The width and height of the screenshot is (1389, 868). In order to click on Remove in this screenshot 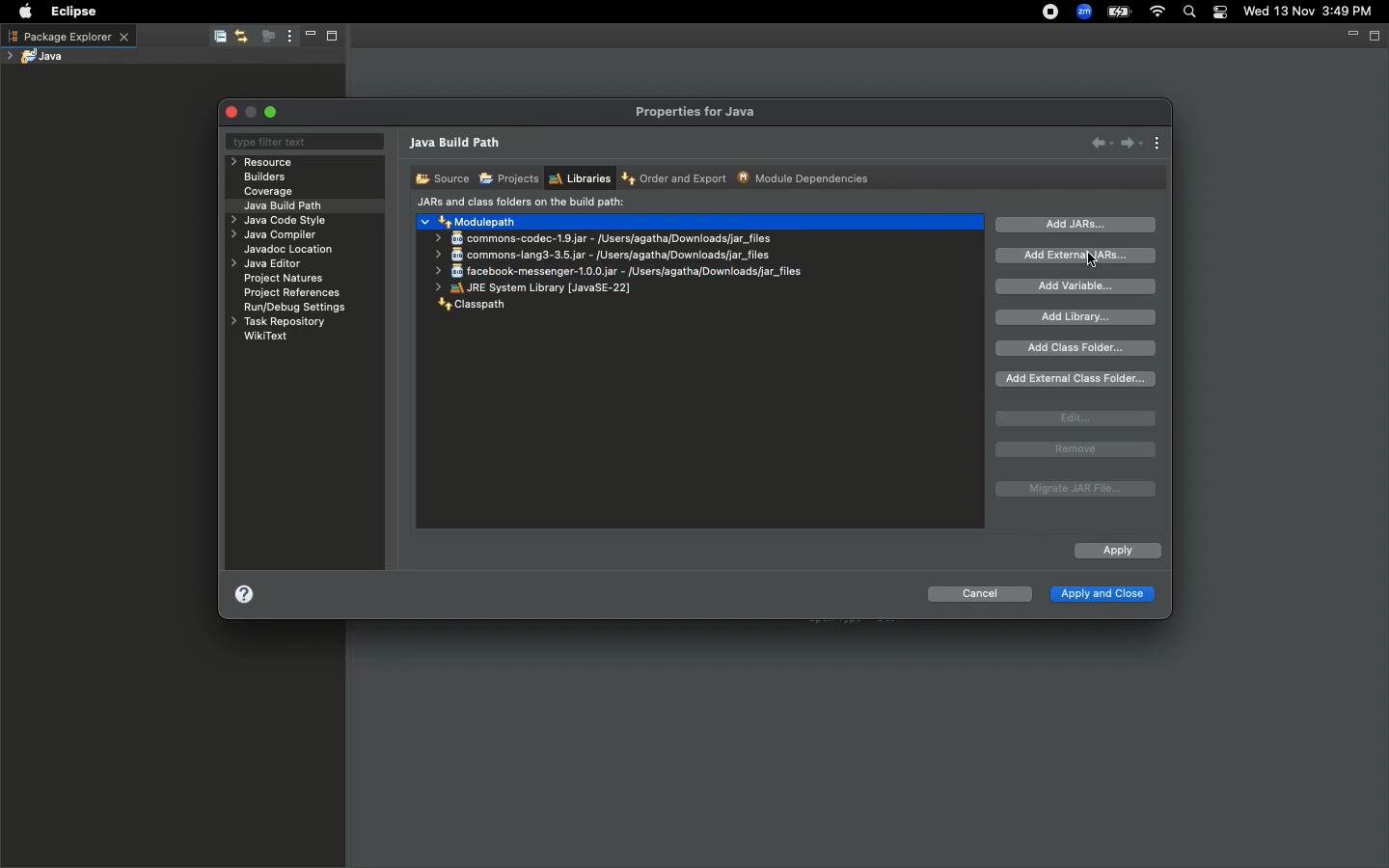, I will do `click(1076, 449)`.